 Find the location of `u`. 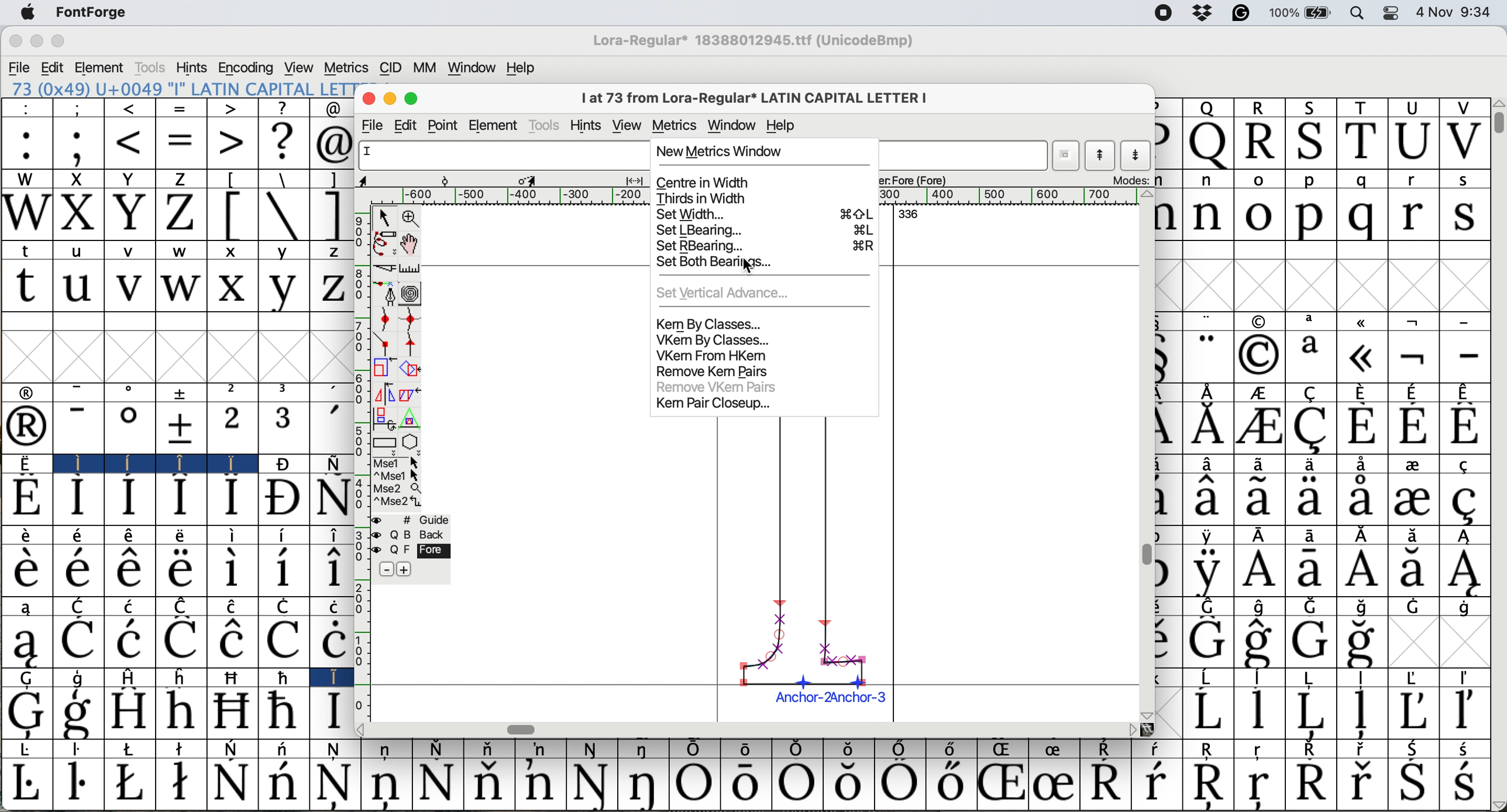

u is located at coordinates (78, 286).